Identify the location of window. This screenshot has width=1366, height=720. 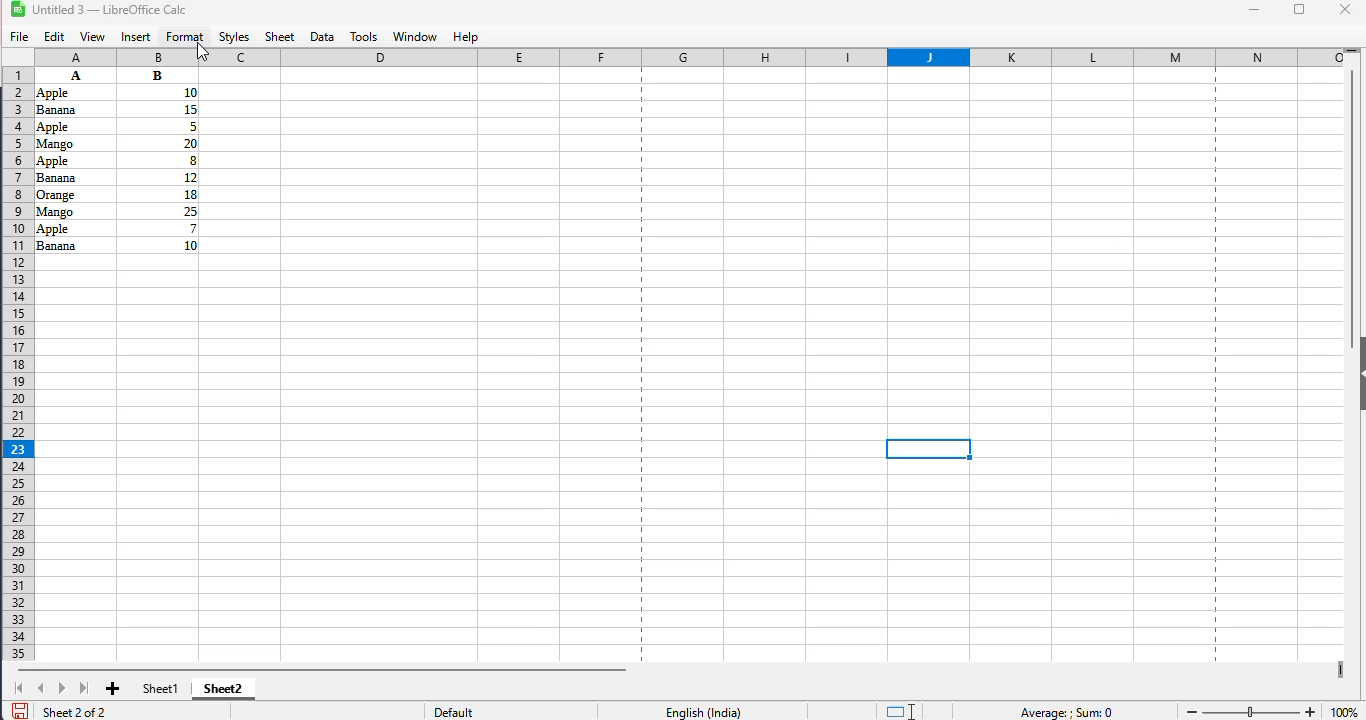
(414, 37).